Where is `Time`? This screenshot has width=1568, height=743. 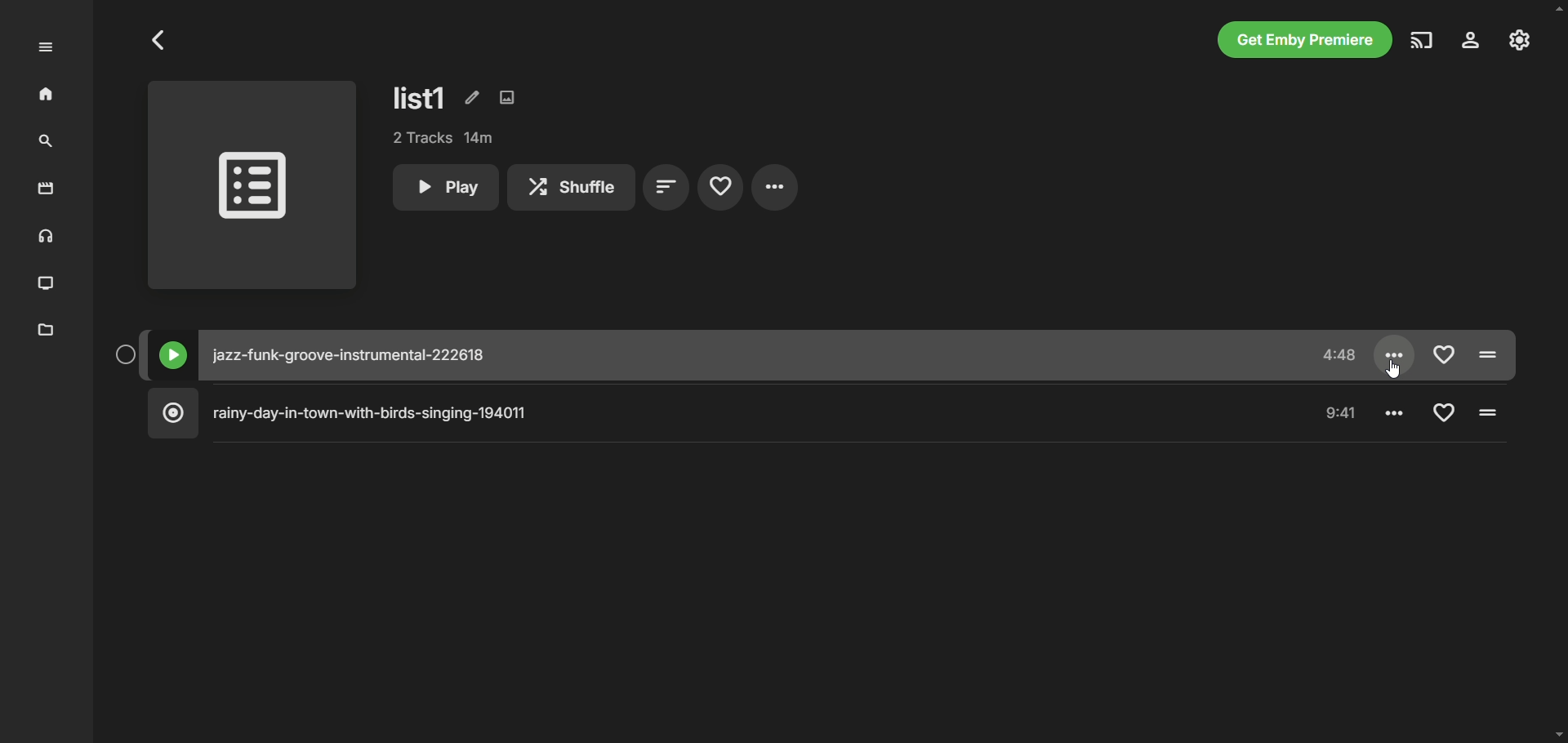
Time is located at coordinates (1340, 412).